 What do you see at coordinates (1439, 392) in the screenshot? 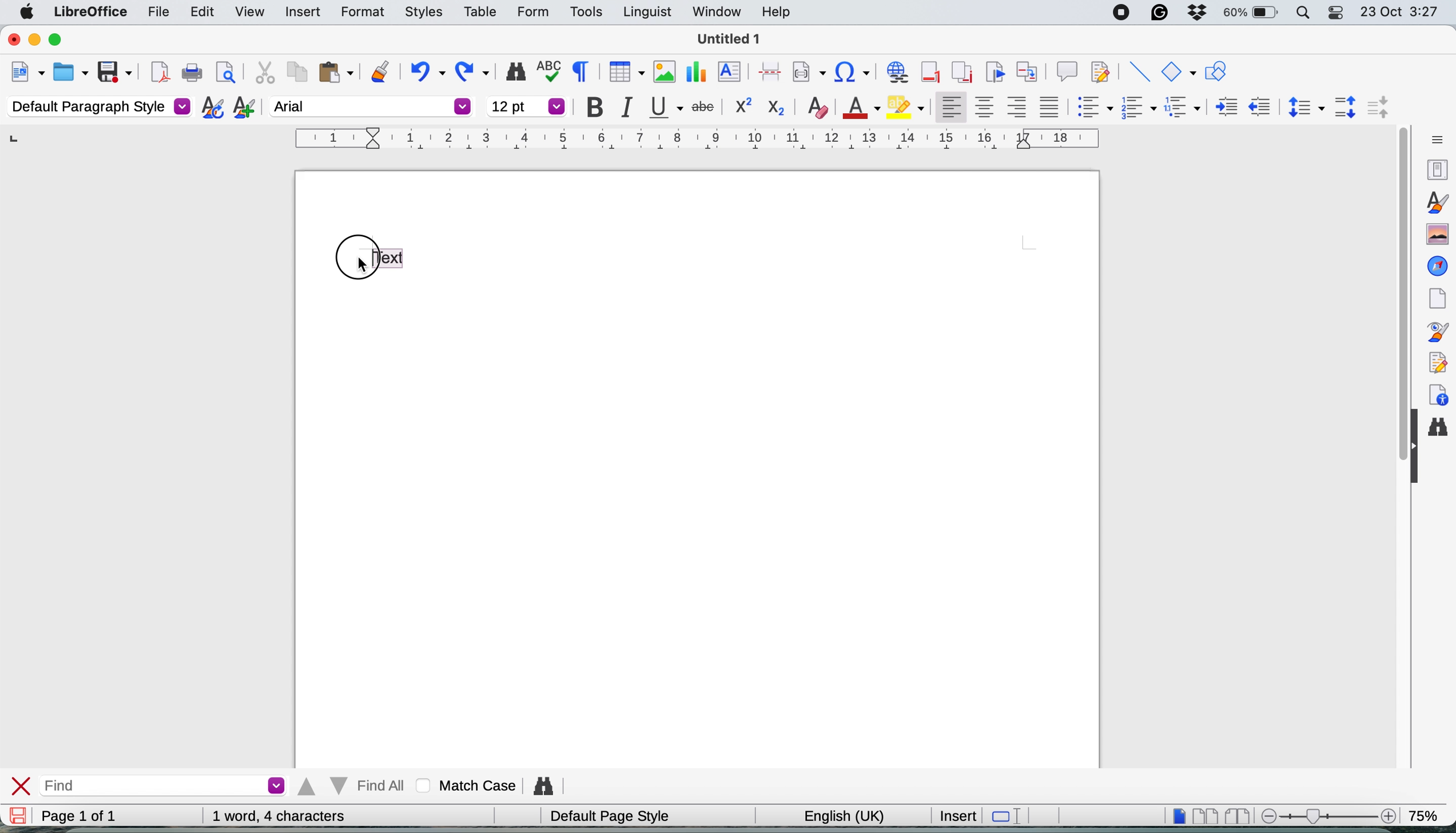
I see `accessibility checks` at bounding box center [1439, 392].